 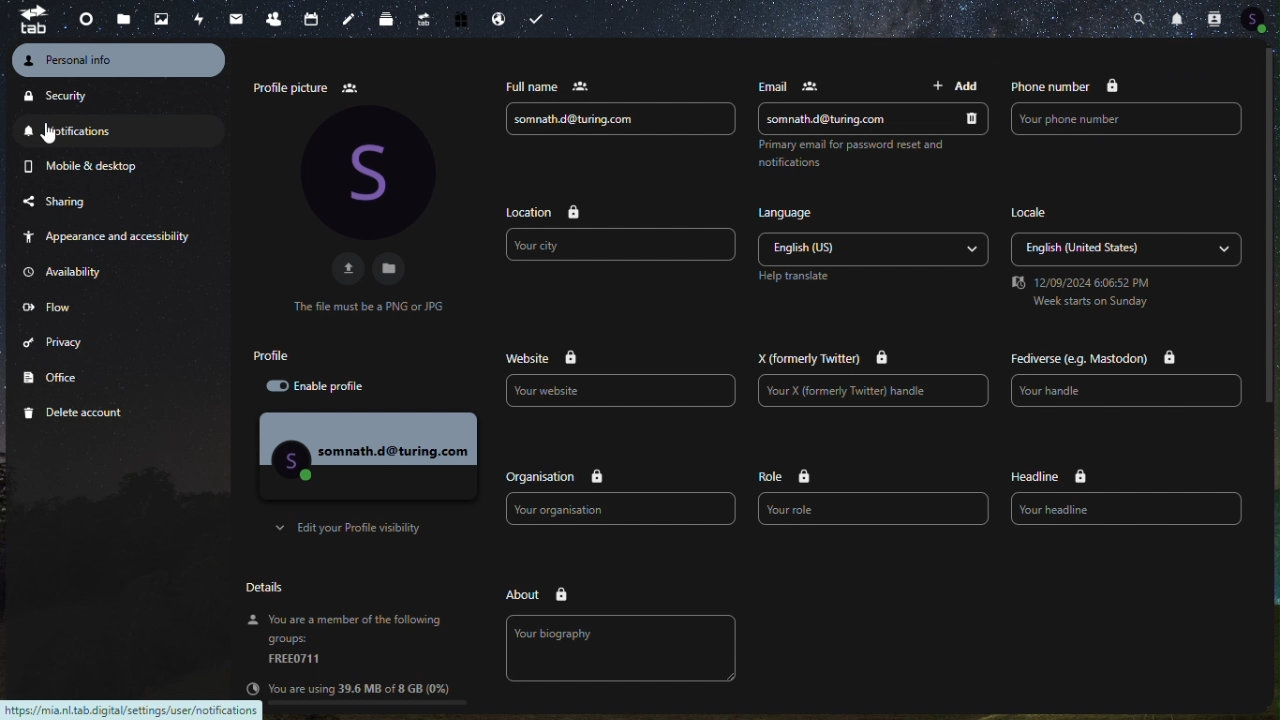 I want to click on edit your profile visibility, so click(x=356, y=528).